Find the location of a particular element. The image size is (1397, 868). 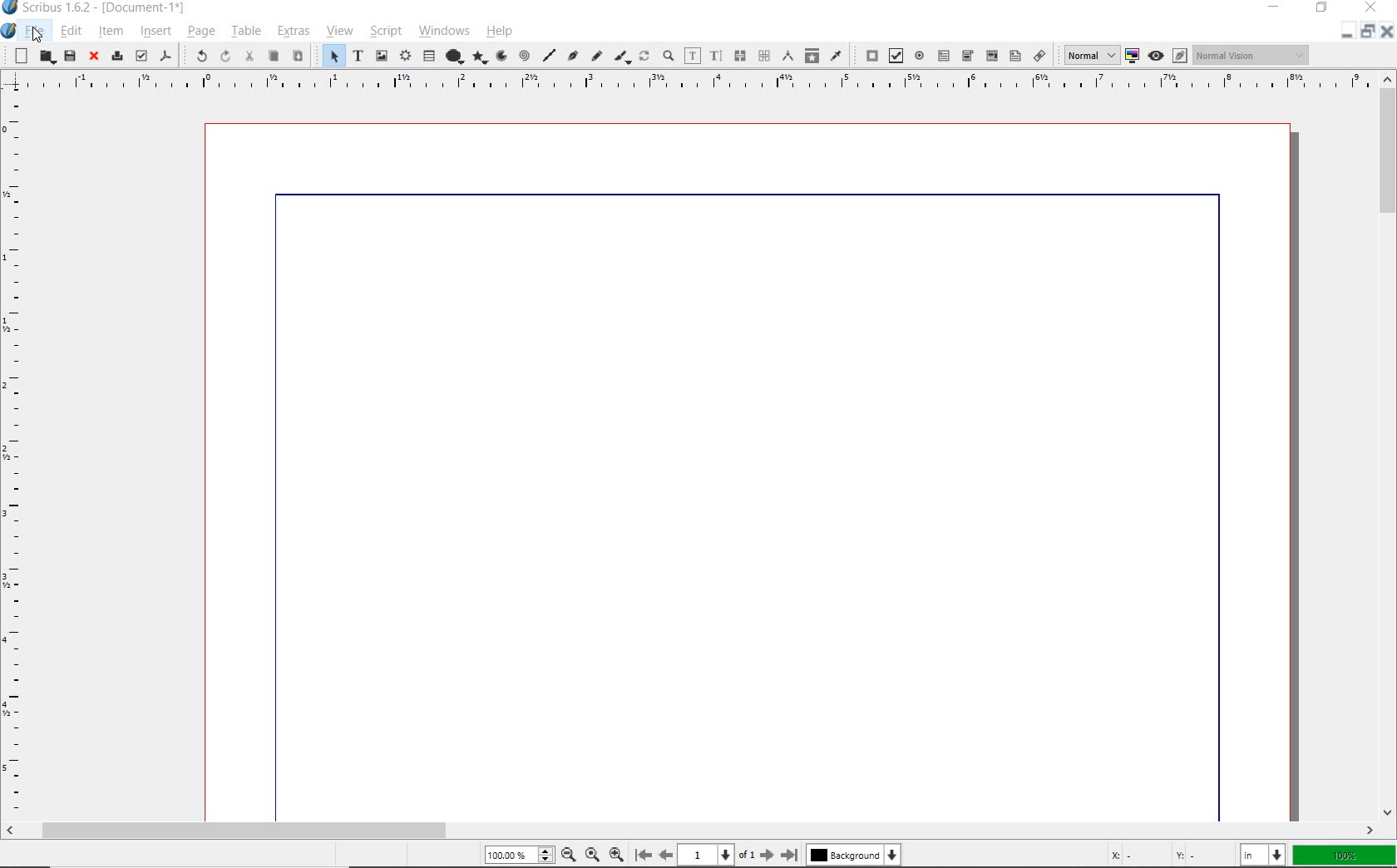

file is located at coordinates (37, 30).